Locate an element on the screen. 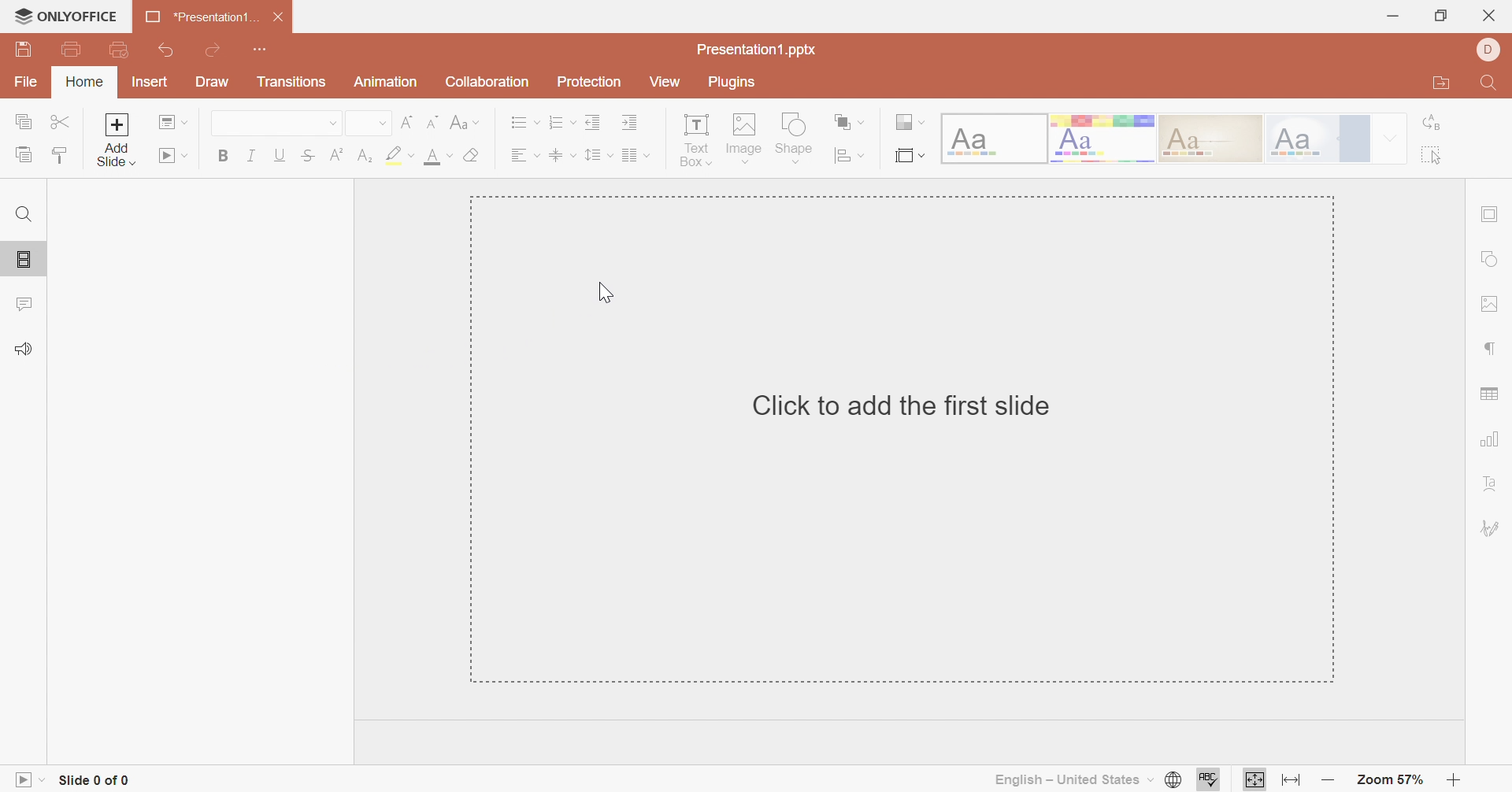 The width and height of the screenshot is (1512, 792). Drop Down is located at coordinates (334, 122).